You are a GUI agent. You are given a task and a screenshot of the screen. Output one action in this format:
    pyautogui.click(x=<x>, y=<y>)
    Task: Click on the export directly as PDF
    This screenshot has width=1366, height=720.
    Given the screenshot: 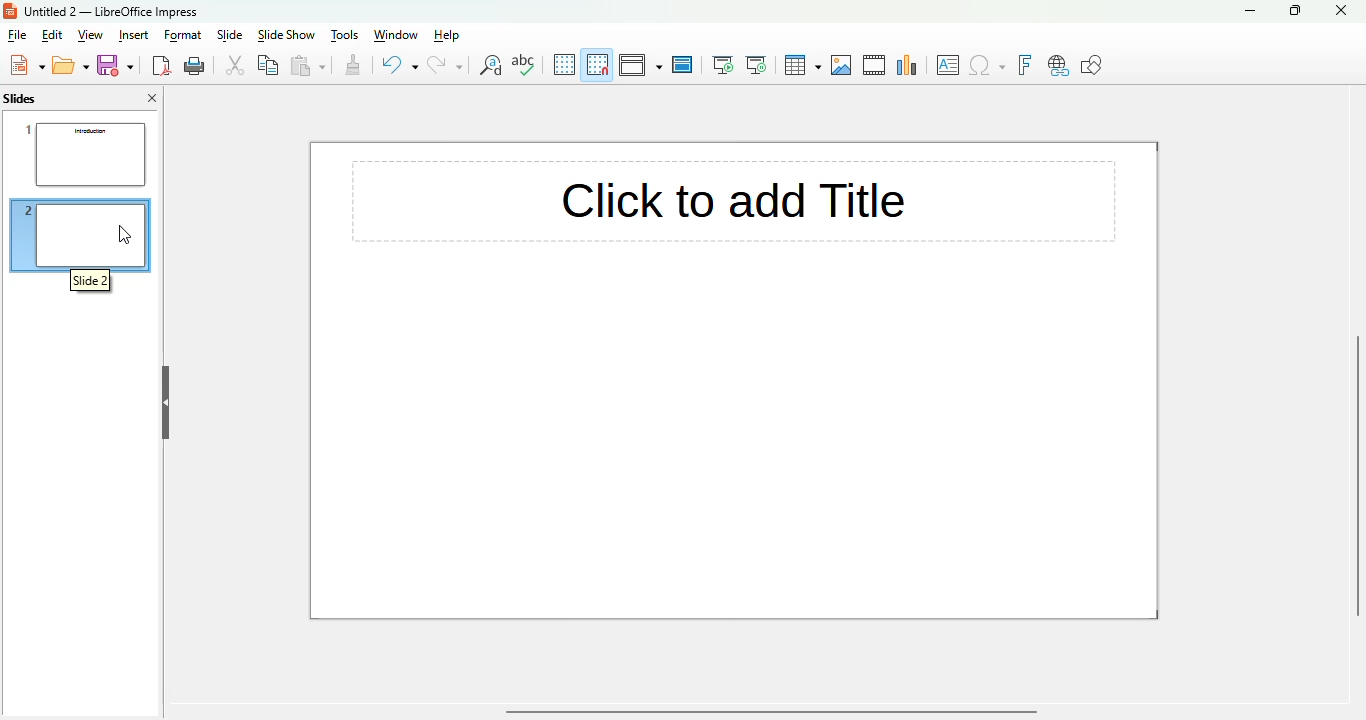 What is the action you would take?
    pyautogui.click(x=161, y=65)
    